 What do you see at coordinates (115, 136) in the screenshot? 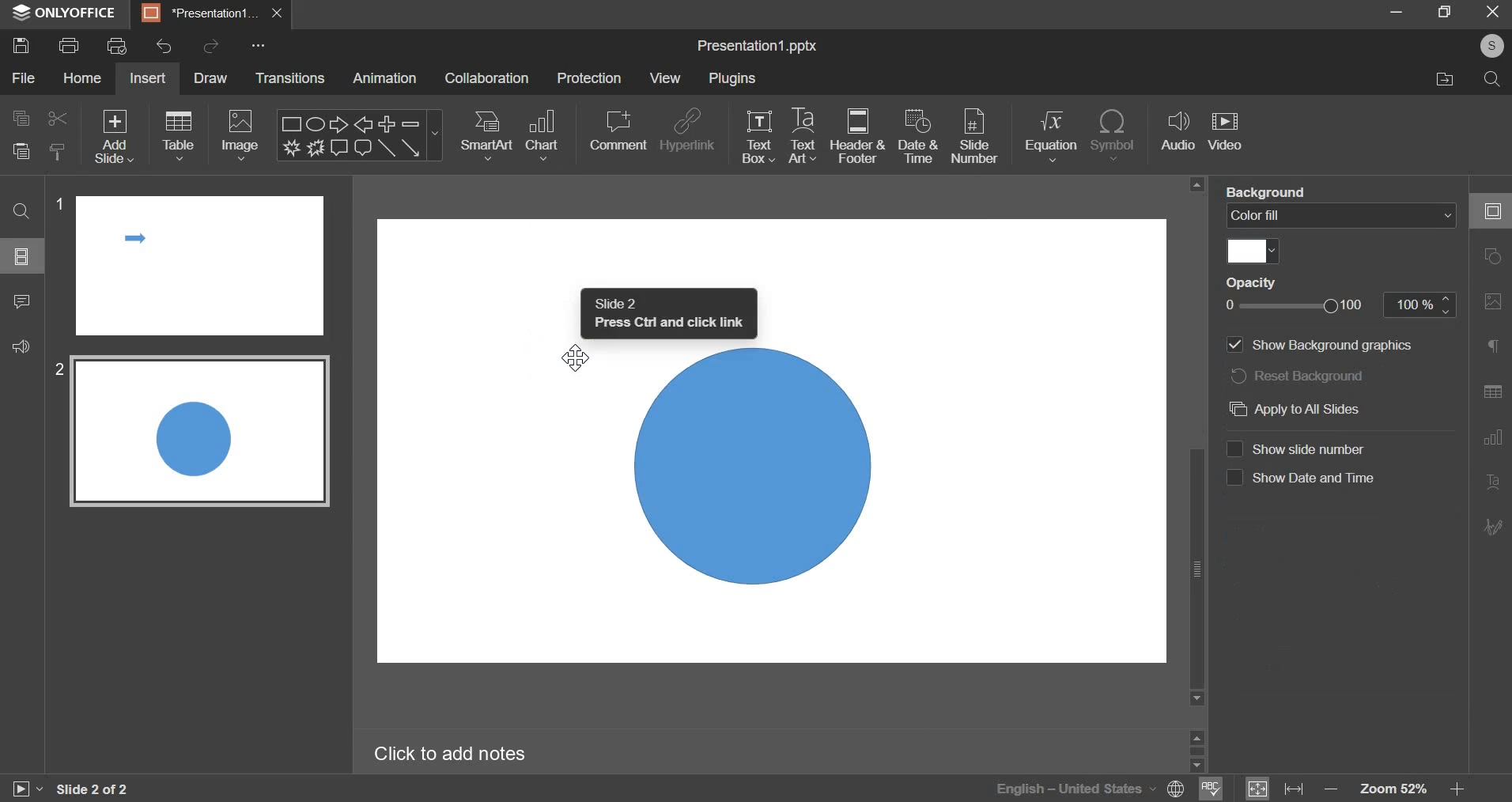
I see `add slide` at bounding box center [115, 136].